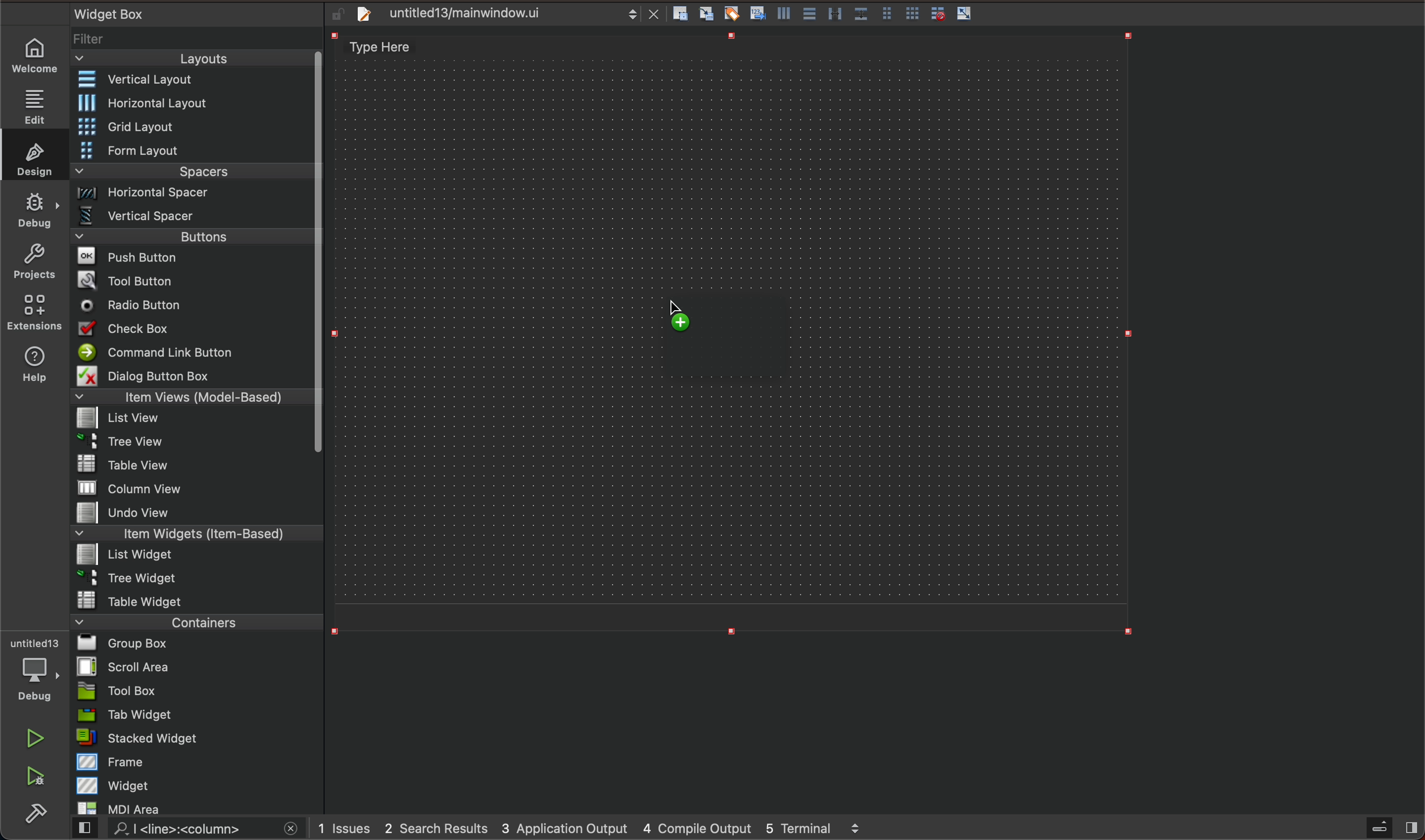 This screenshot has height=840, width=1425. What do you see at coordinates (195, 599) in the screenshot?
I see `table widget` at bounding box center [195, 599].